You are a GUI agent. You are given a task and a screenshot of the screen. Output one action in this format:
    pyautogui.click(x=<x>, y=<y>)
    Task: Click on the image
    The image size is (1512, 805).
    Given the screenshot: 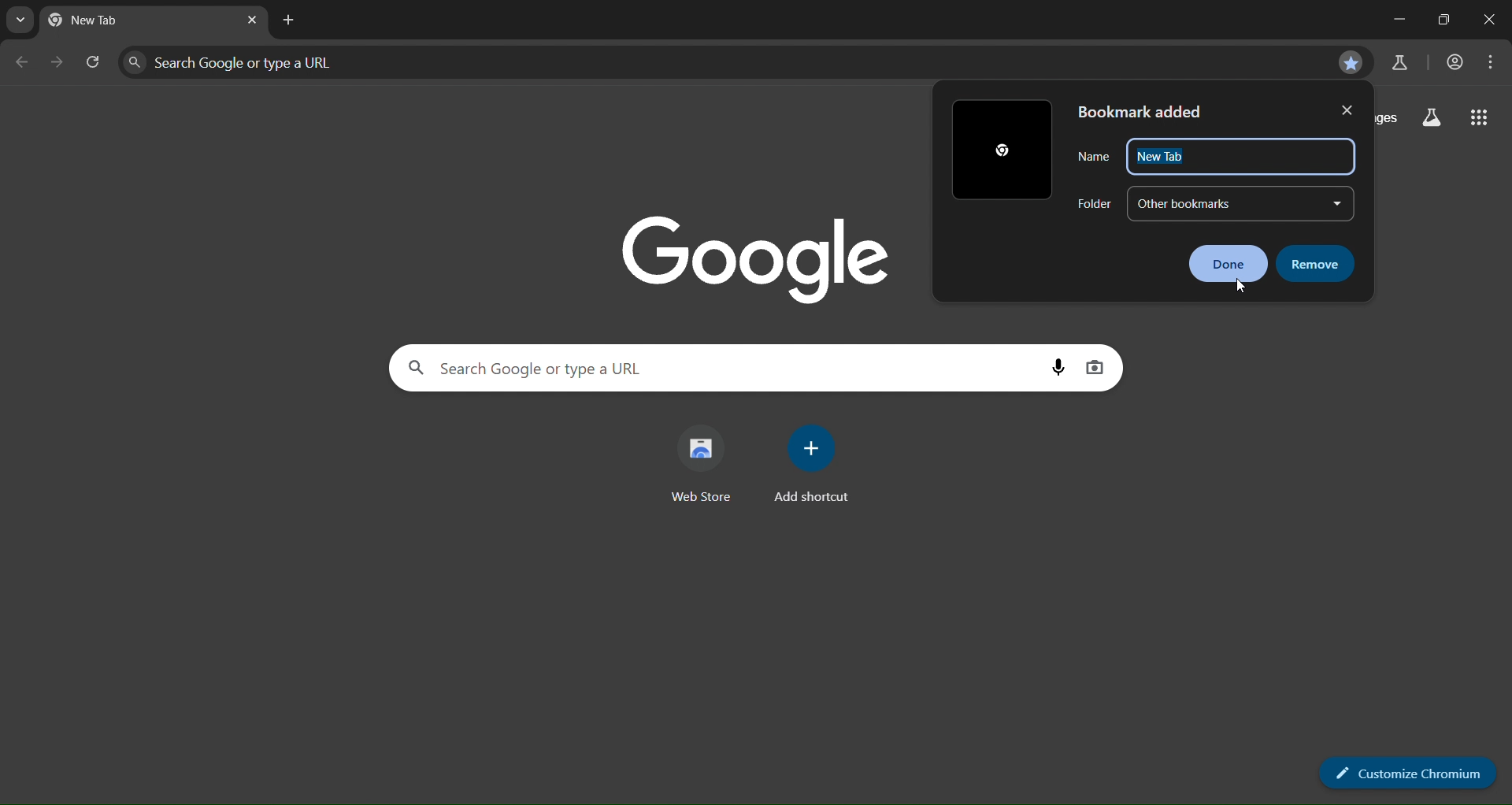 What is the action you would take?
    pyautogui.click(x=1002, y=150)
    